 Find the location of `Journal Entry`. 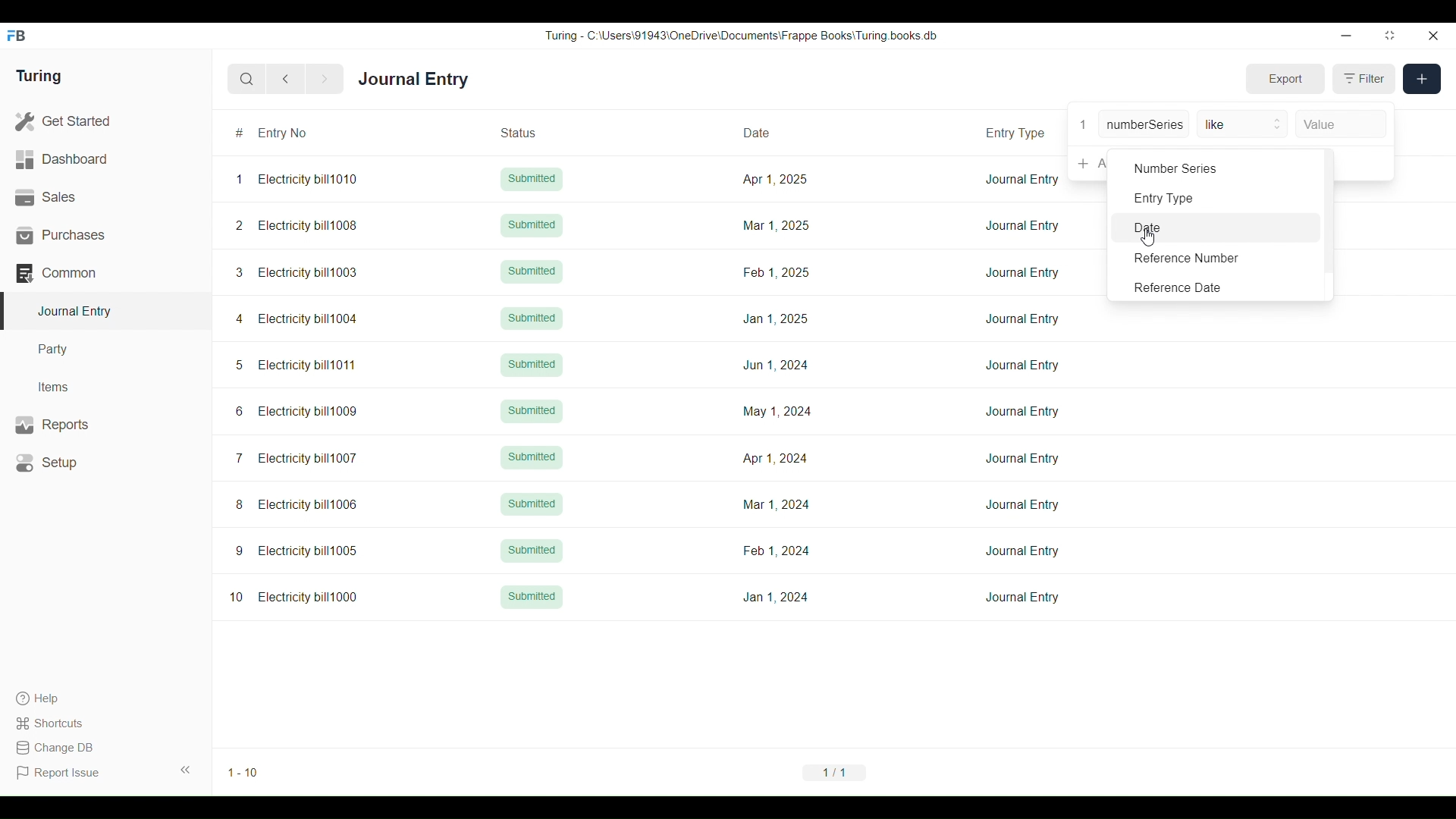

Journal Entry is located at coordinates (1024, 272).